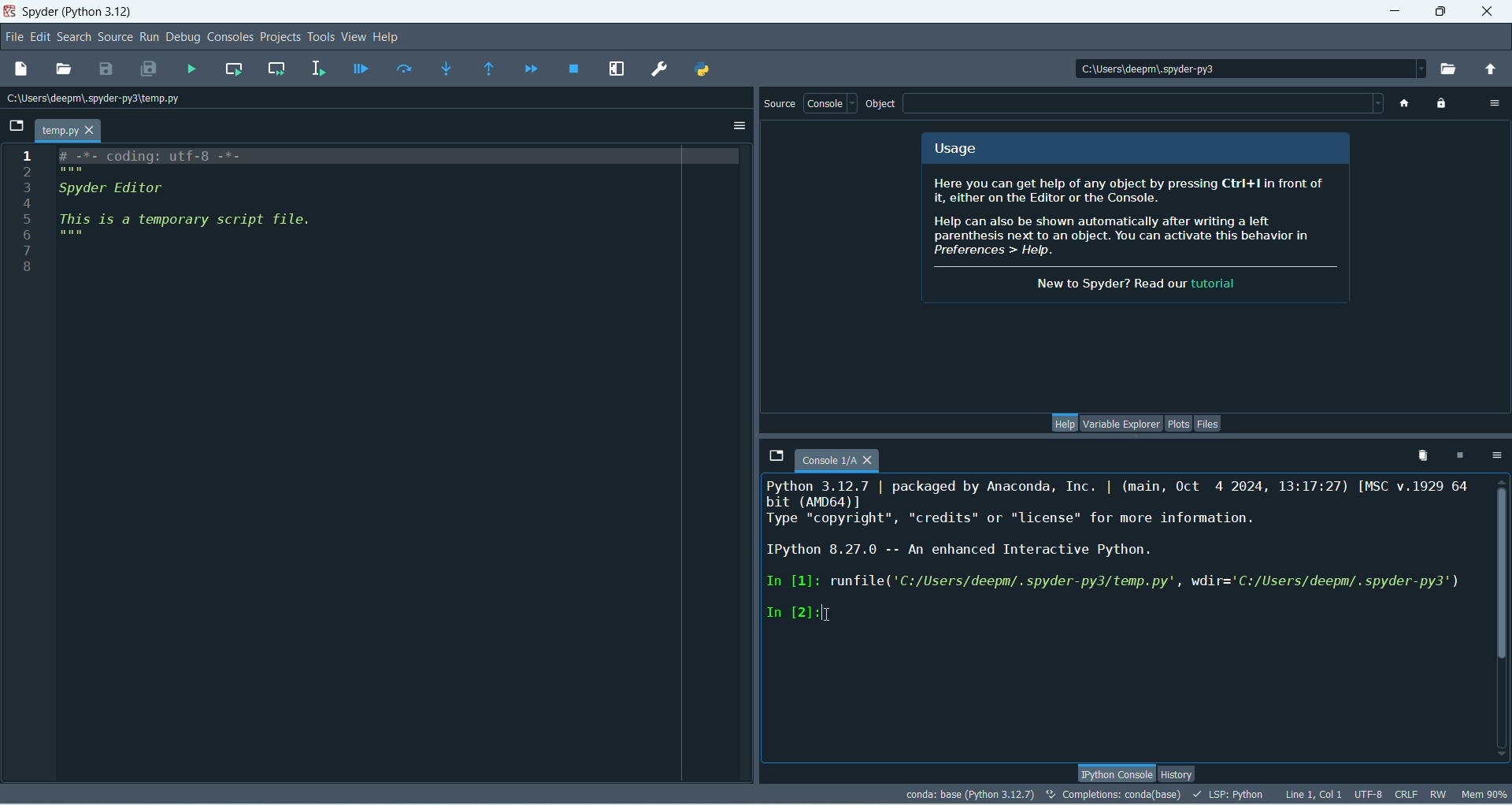 This screenshot has width=1512, height=805. Describe the element at coordinates (73, 38) in the screenshot. I see `search` at that location.